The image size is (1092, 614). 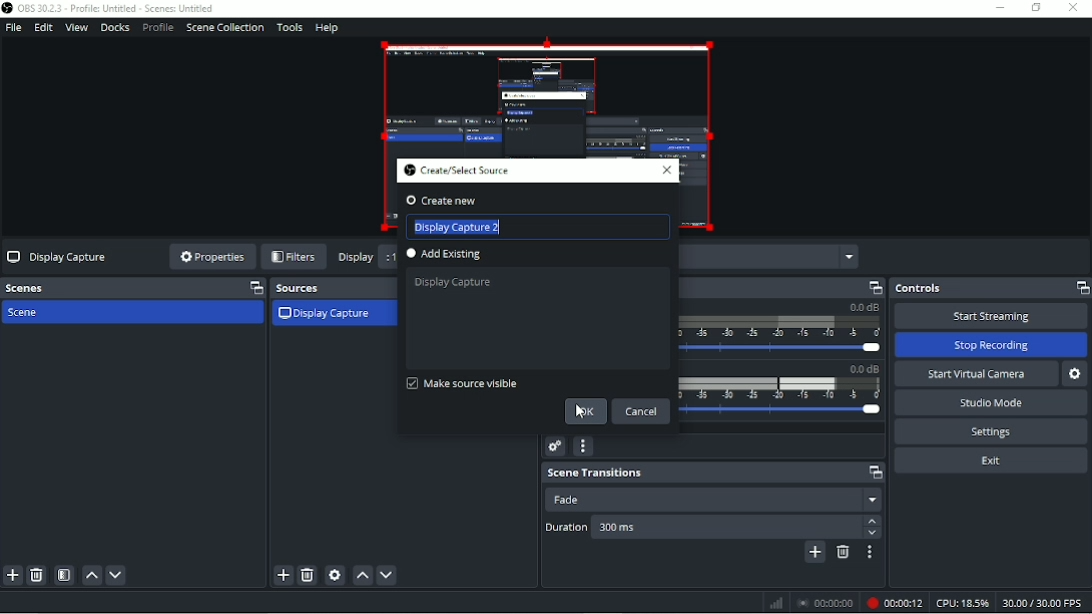 I want to click on Open source properties, so click(x=334, y=575).